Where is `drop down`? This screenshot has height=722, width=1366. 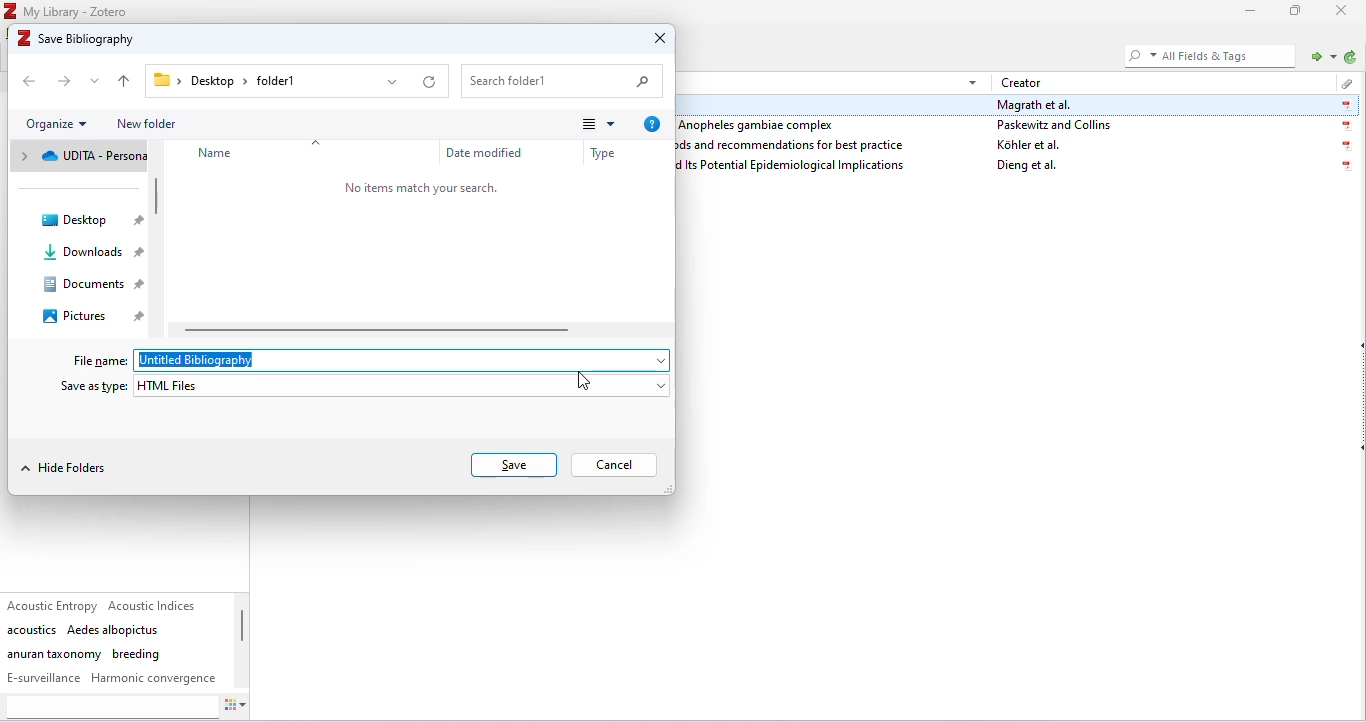 drop down is located at coordinates (96, 80).